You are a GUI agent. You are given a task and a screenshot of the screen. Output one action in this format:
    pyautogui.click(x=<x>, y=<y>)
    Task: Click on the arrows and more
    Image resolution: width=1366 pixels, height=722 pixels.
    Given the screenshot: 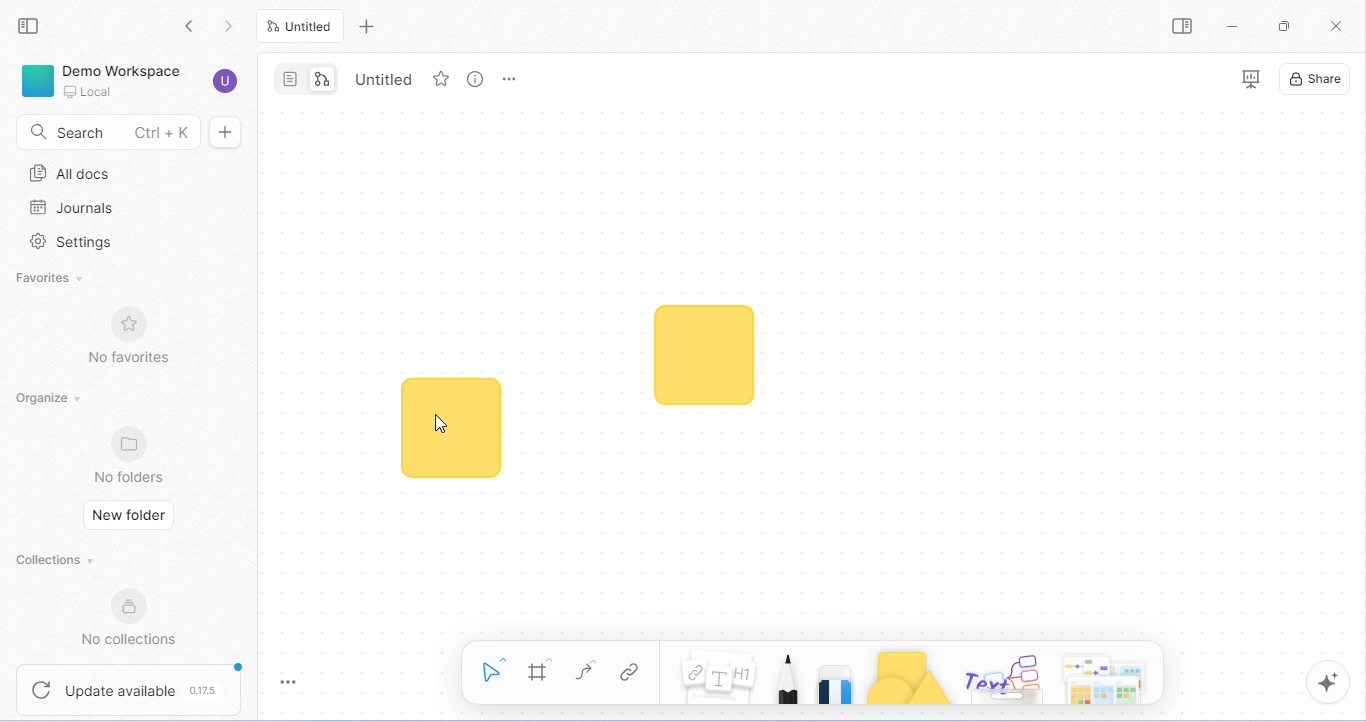 What is the action you would take?
    pyautogui.click(x=1105, y=677)
    